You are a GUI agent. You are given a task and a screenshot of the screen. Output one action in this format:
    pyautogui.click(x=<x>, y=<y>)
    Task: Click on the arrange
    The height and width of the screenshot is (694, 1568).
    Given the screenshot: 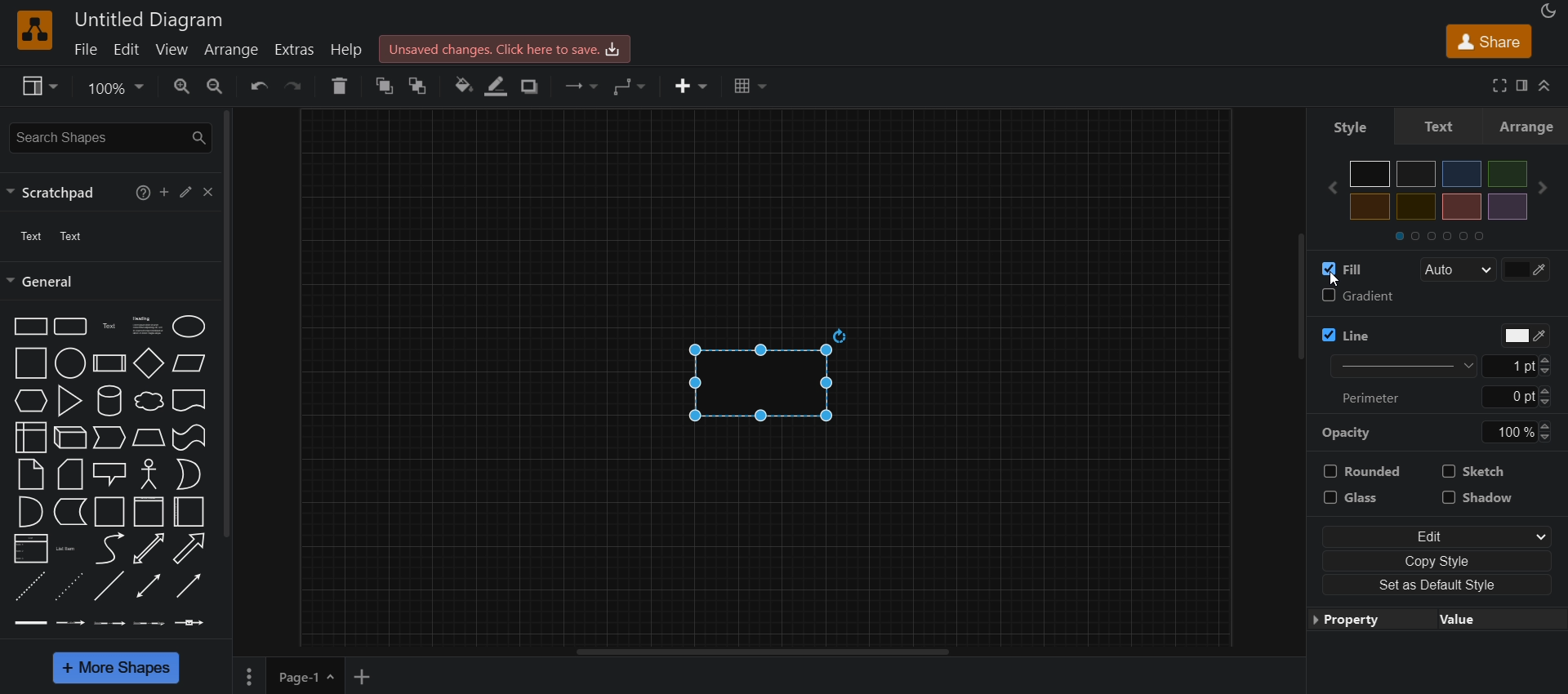 What is the action you would take?
    pyautogui.click(x=1528, y=128)
    